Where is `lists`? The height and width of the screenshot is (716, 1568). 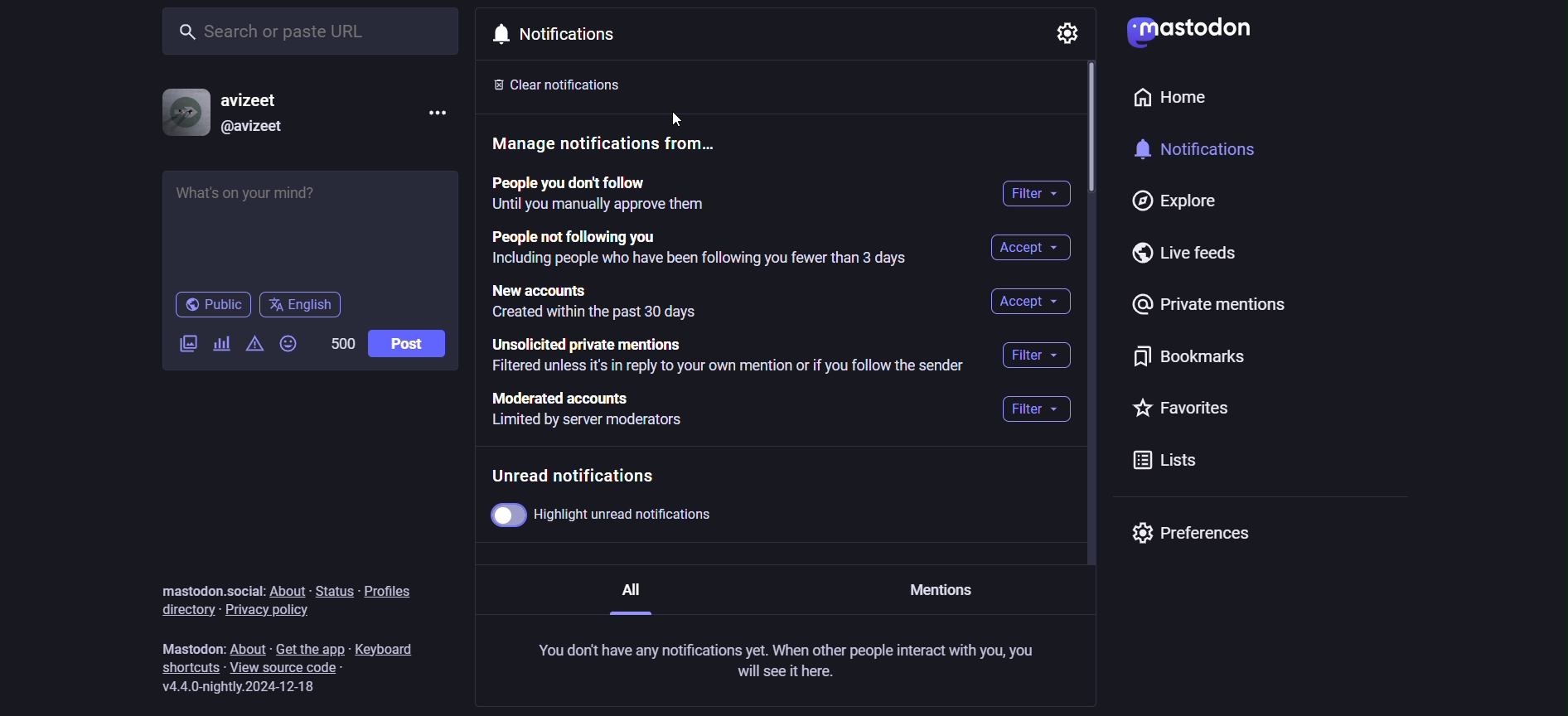
lists is located at coordinates (1160, 464).